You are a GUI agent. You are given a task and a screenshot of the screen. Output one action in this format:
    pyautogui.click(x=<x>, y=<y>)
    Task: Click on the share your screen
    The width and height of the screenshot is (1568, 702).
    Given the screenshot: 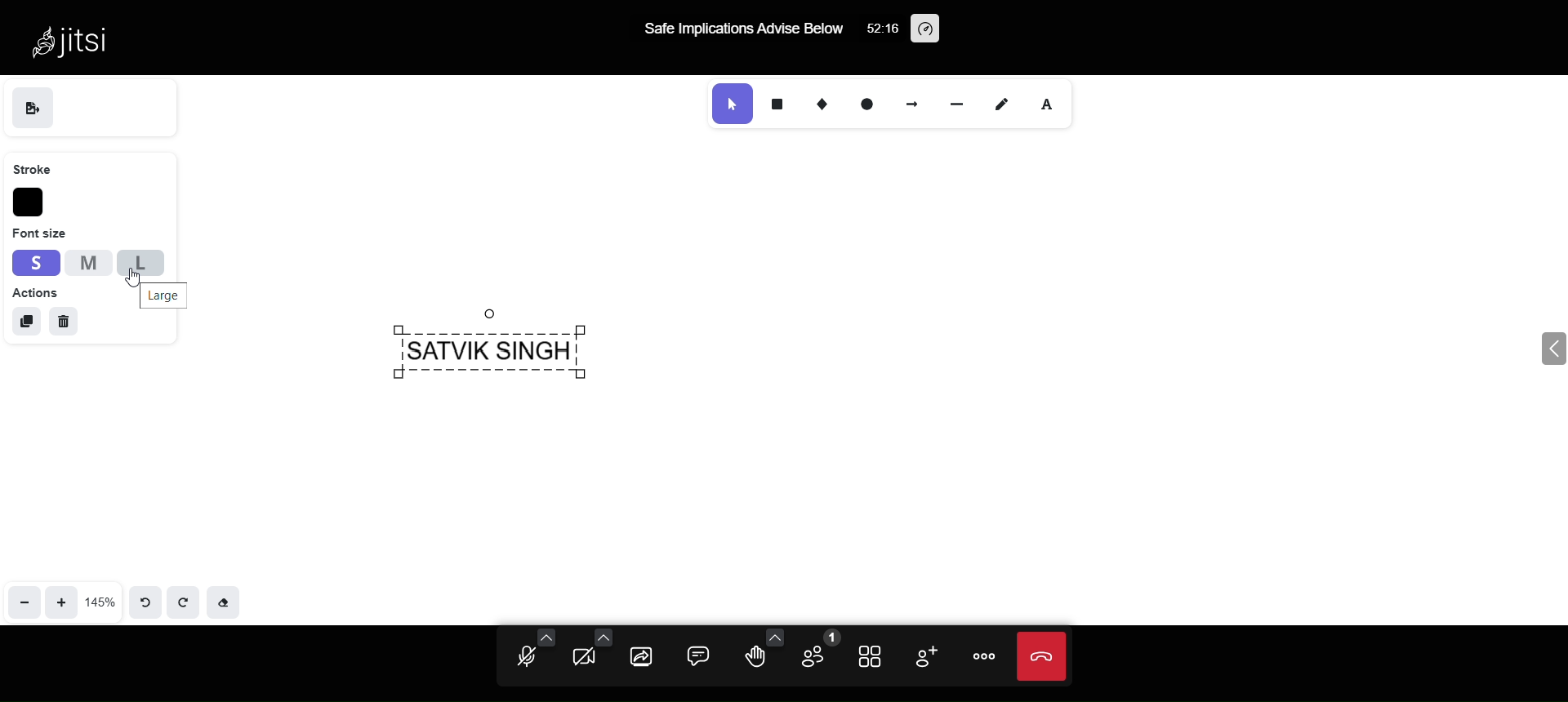 What is the action you would take?
    pyautogui.click(x=640, y=659)
    